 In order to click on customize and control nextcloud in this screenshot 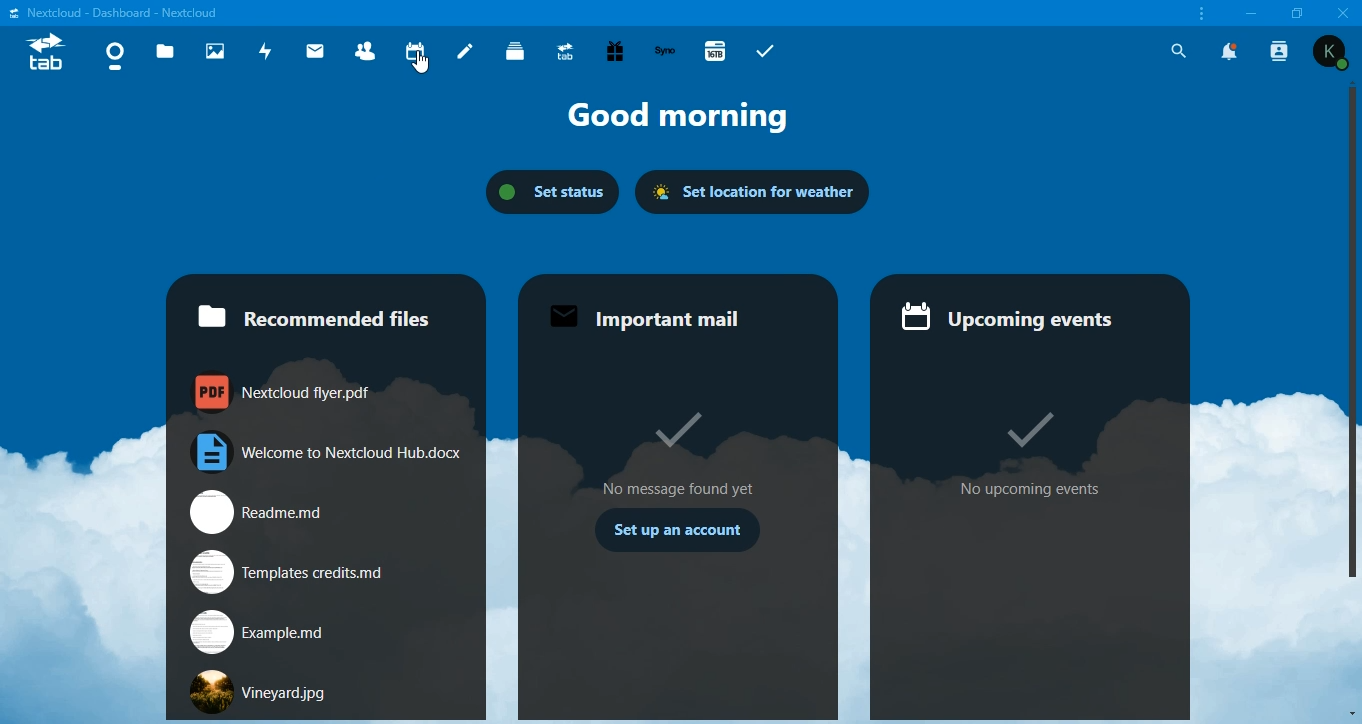, I will do `click(1202, 15)`.